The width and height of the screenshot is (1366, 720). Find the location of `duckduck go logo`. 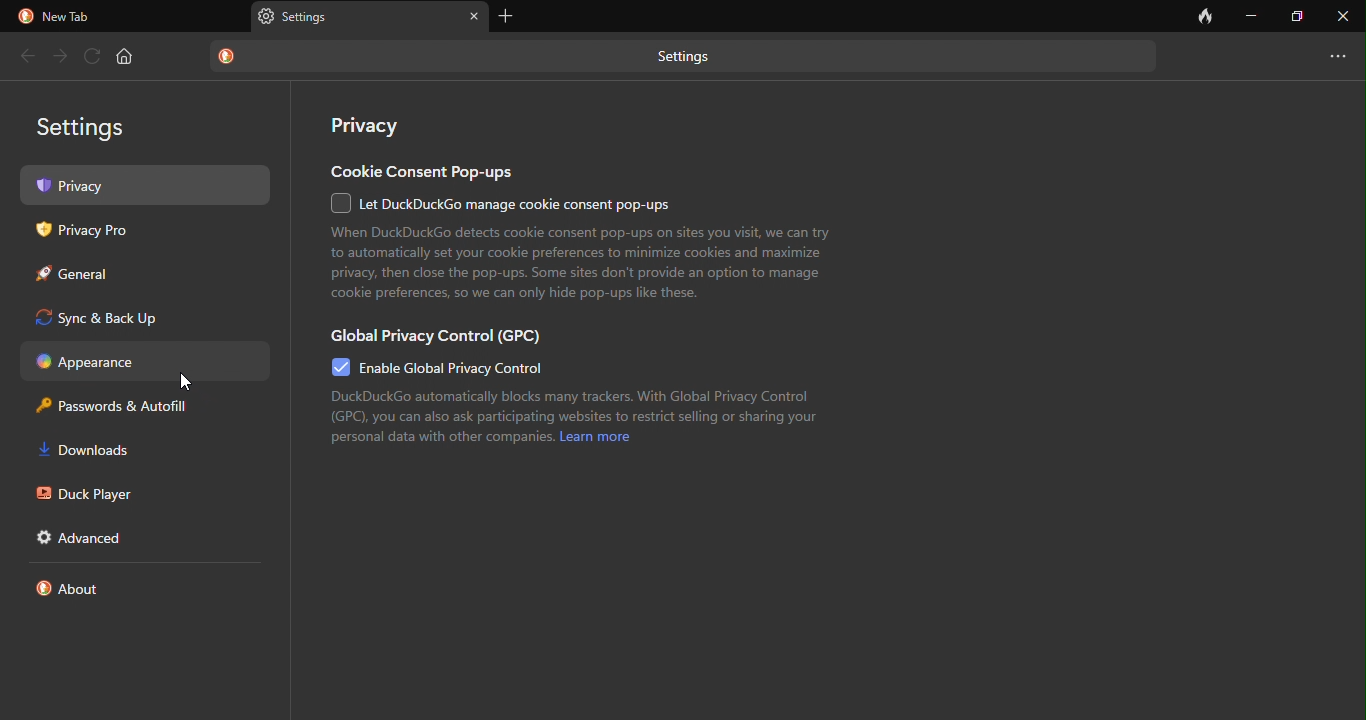

duckduck go logo is located at coordinates (24, 16).